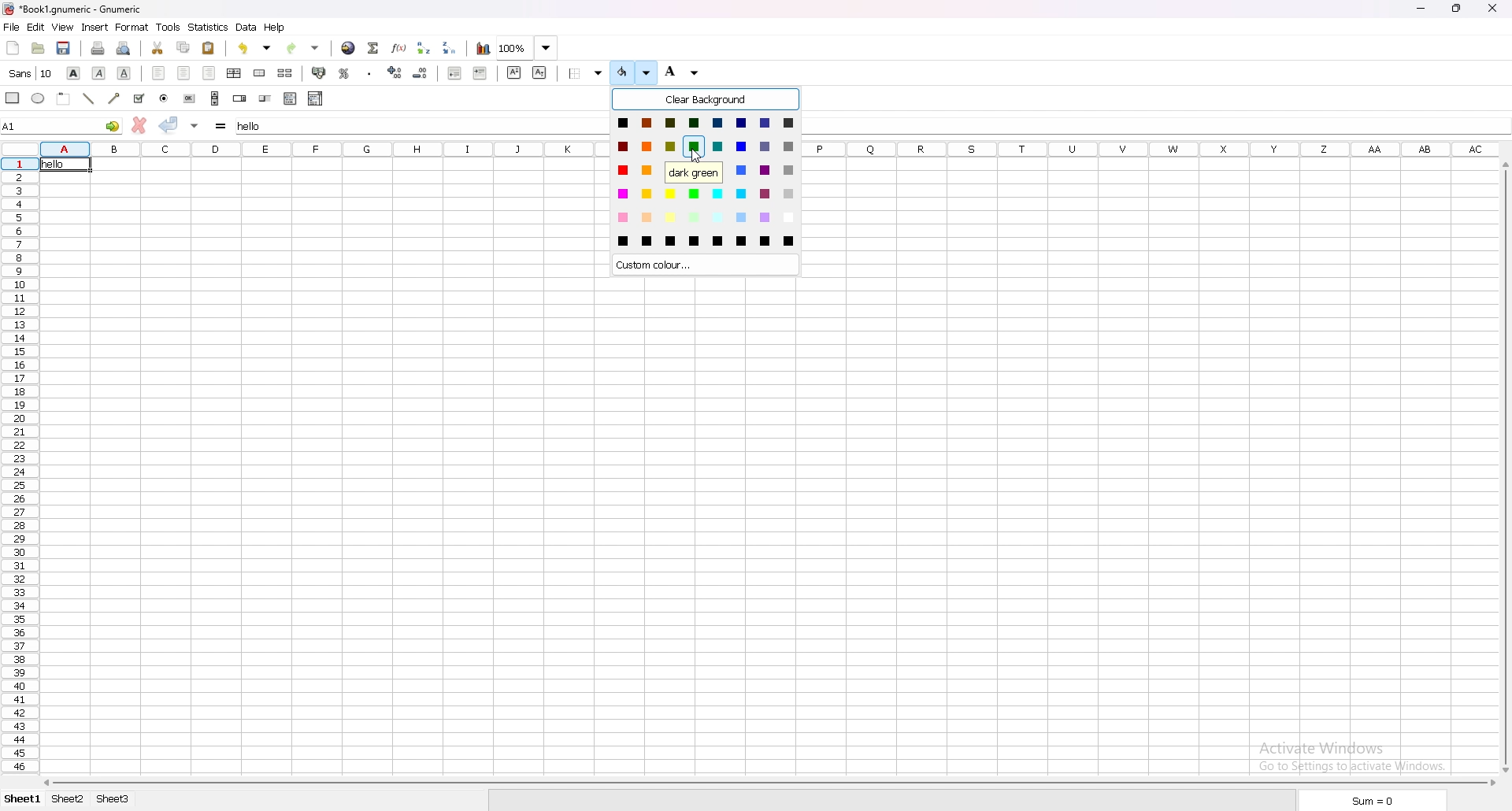 The width and height of the screenshot is (1512, 811). Describe the element at coordinates (350, 48) in the screenshot. I see `hyperlink` at that location.